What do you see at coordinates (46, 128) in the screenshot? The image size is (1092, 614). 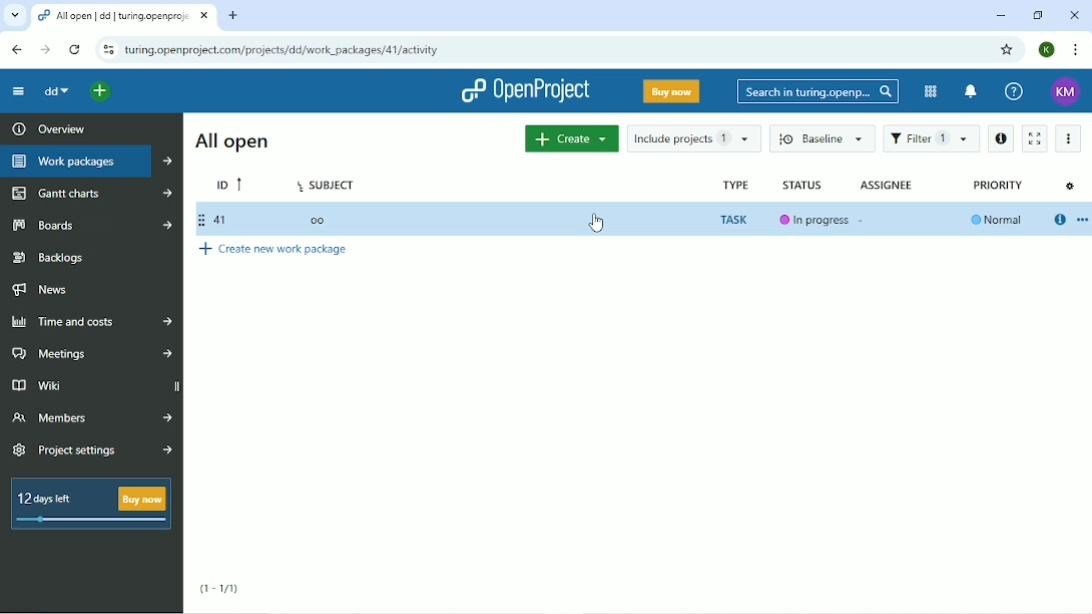 I see `Overview` at bounding box center [46, 128].